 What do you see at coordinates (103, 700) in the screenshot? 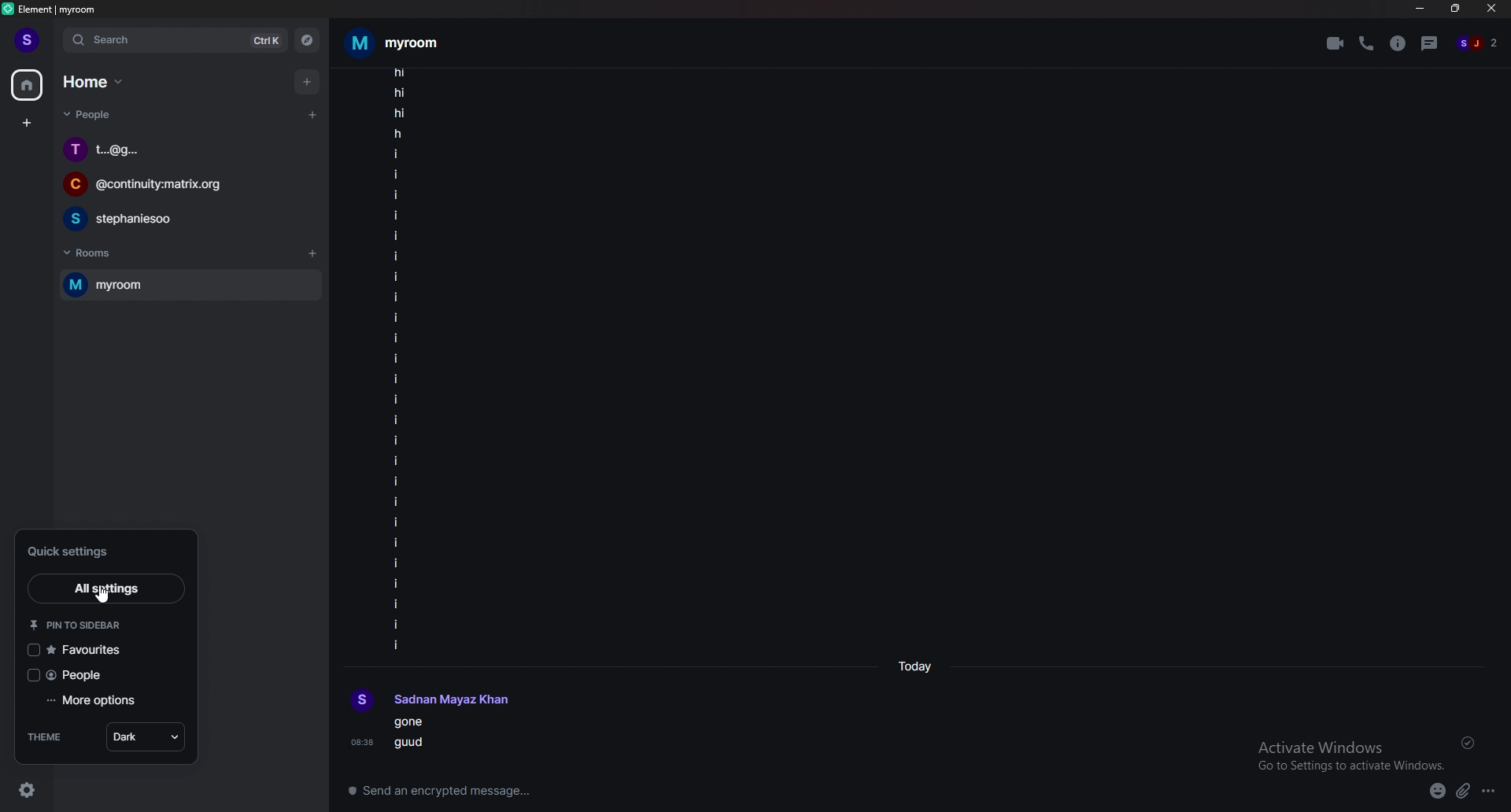
I see `more options` at bounding box center [103, 700].